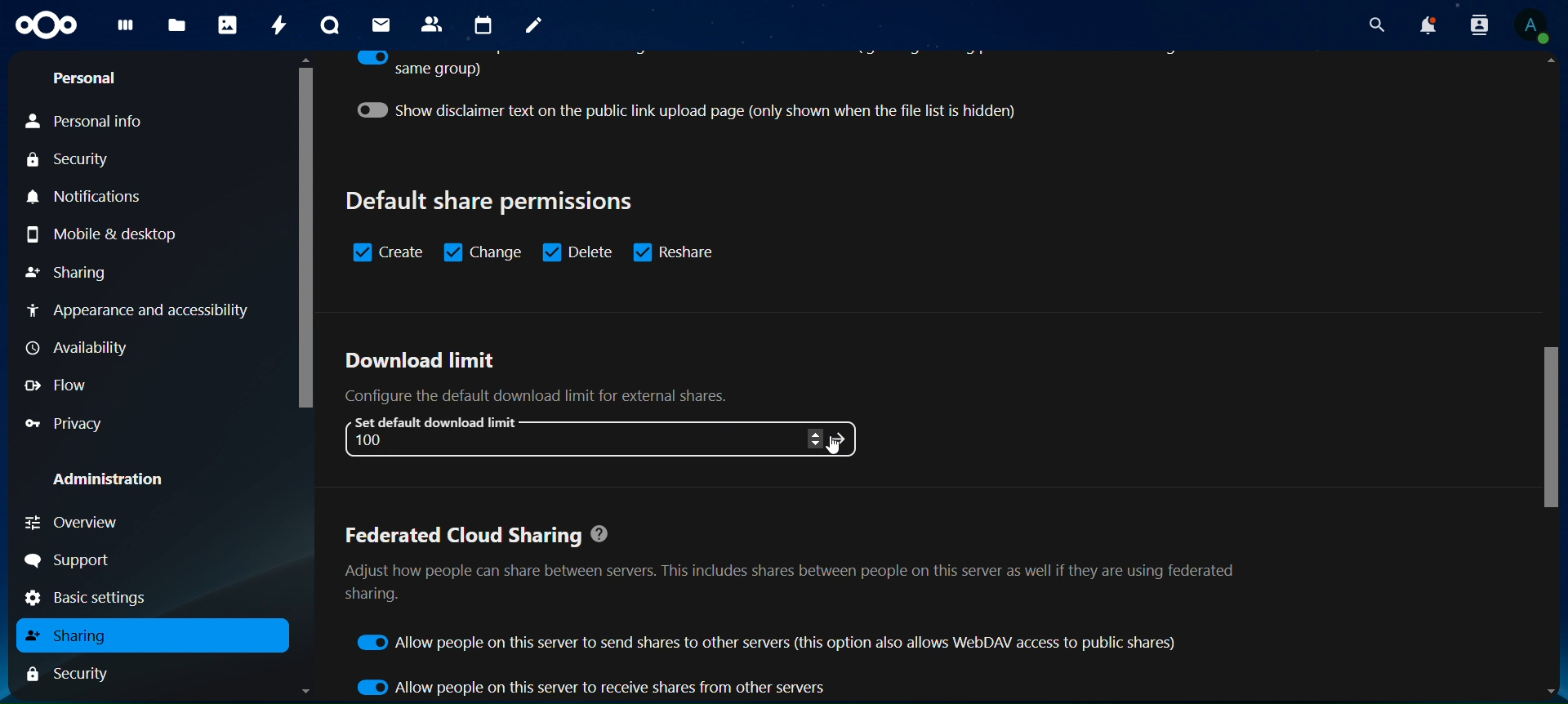 The image size is (1568, 704). What do you see at coordinates (333, 25) in the screenshot?
I see `talk` at bounding box center [333, 25].